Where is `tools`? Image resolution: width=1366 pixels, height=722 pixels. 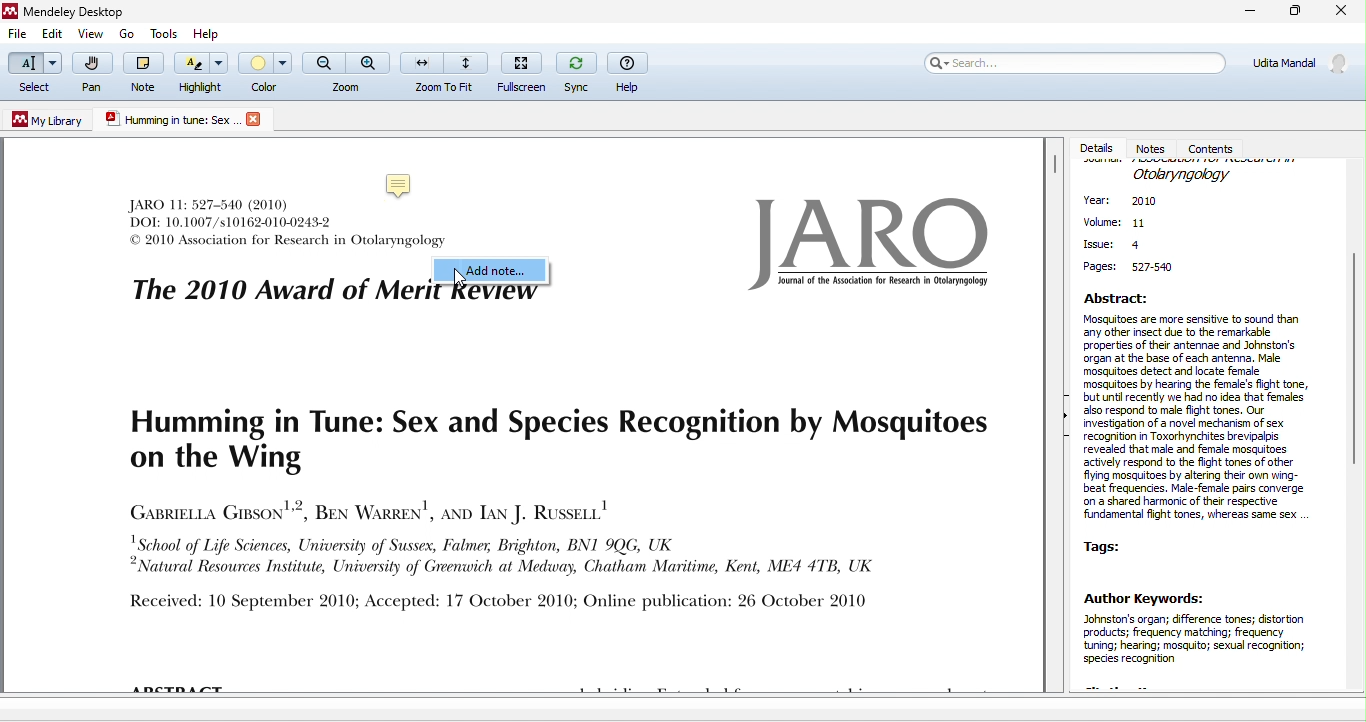
tools is located at coordinates (167, 34).